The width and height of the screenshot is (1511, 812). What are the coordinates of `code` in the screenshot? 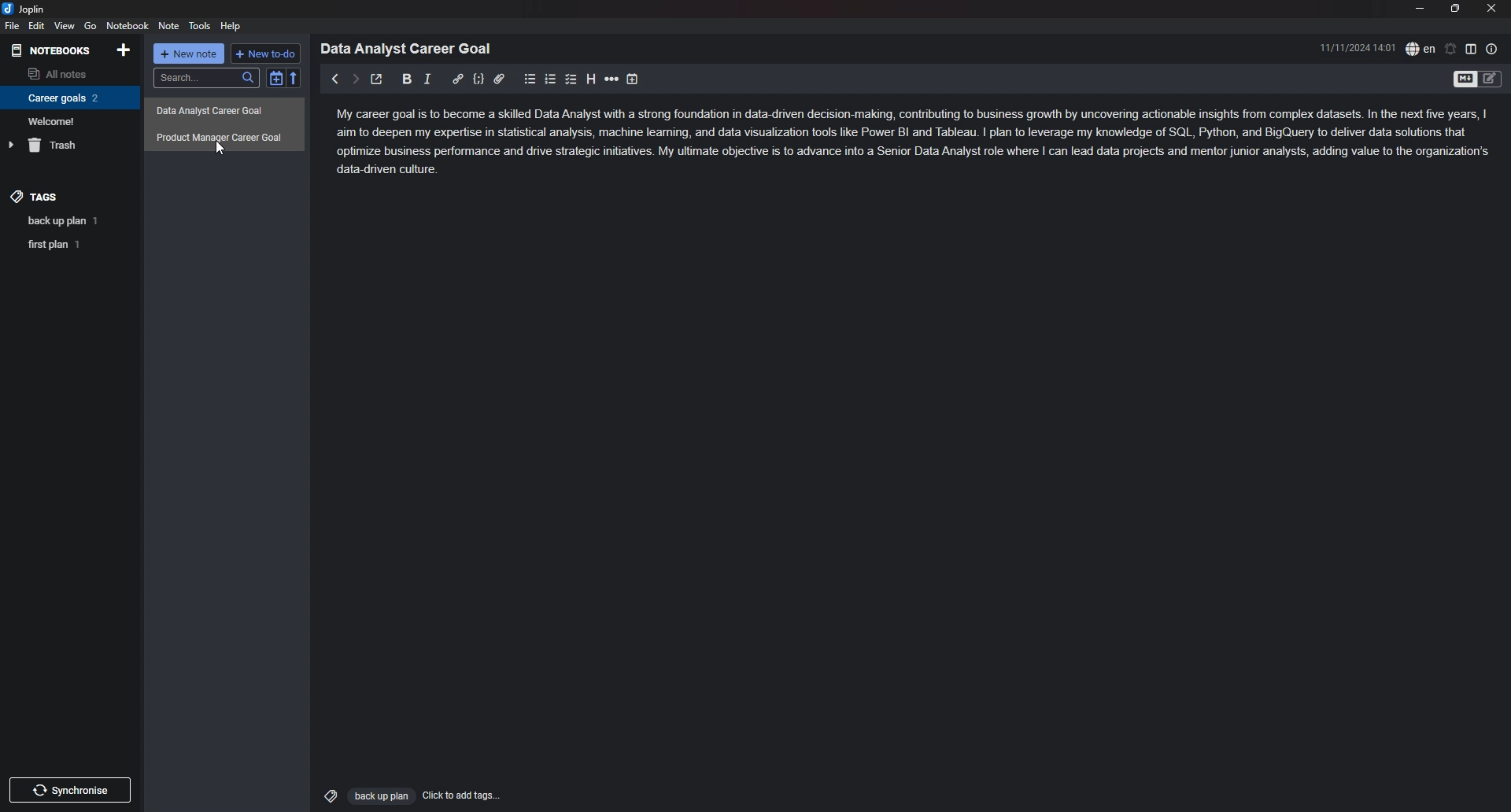 It's located at (478, 79).